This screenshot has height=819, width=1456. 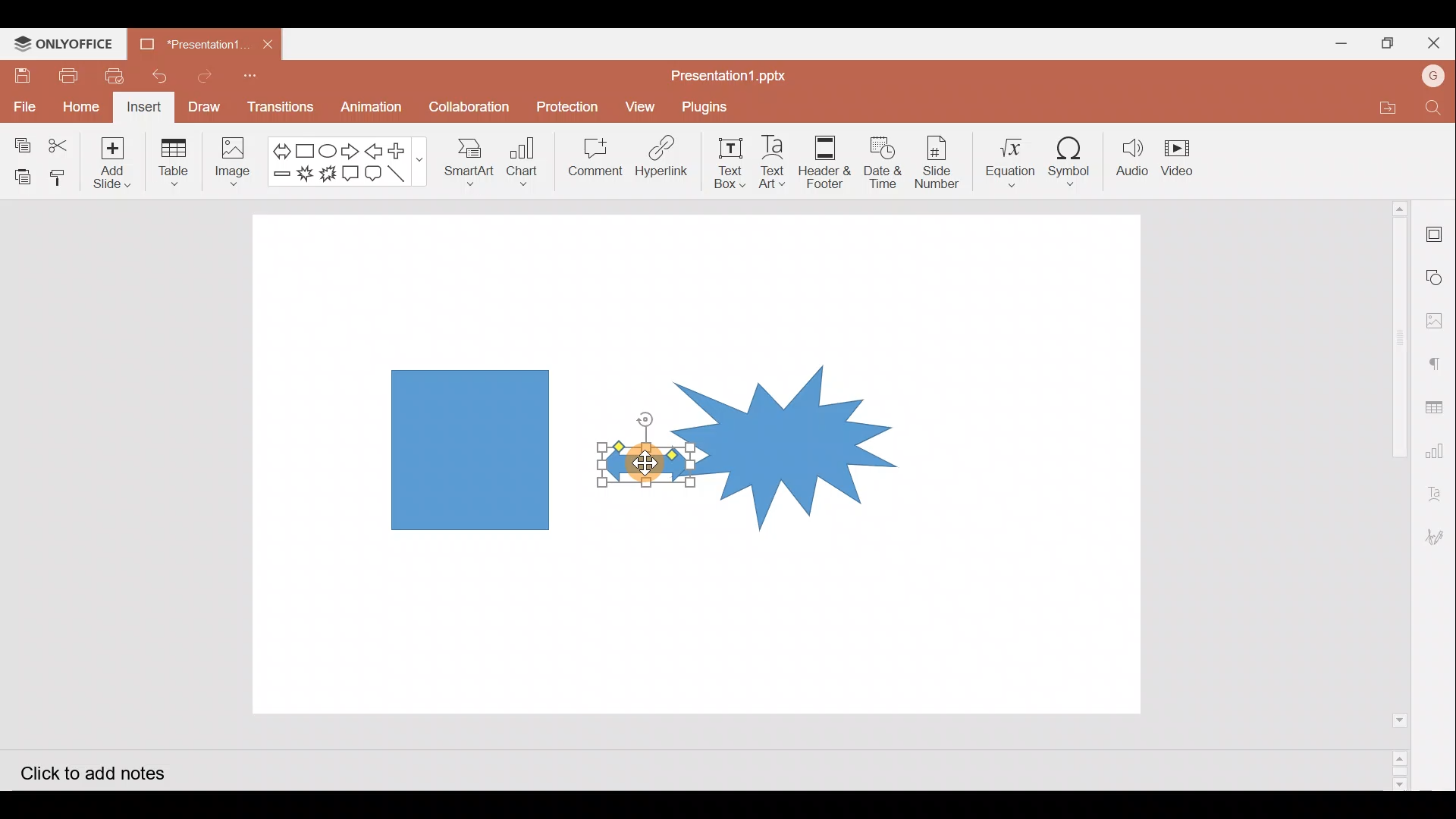 I want to click on File, so click(x=24, y=104).